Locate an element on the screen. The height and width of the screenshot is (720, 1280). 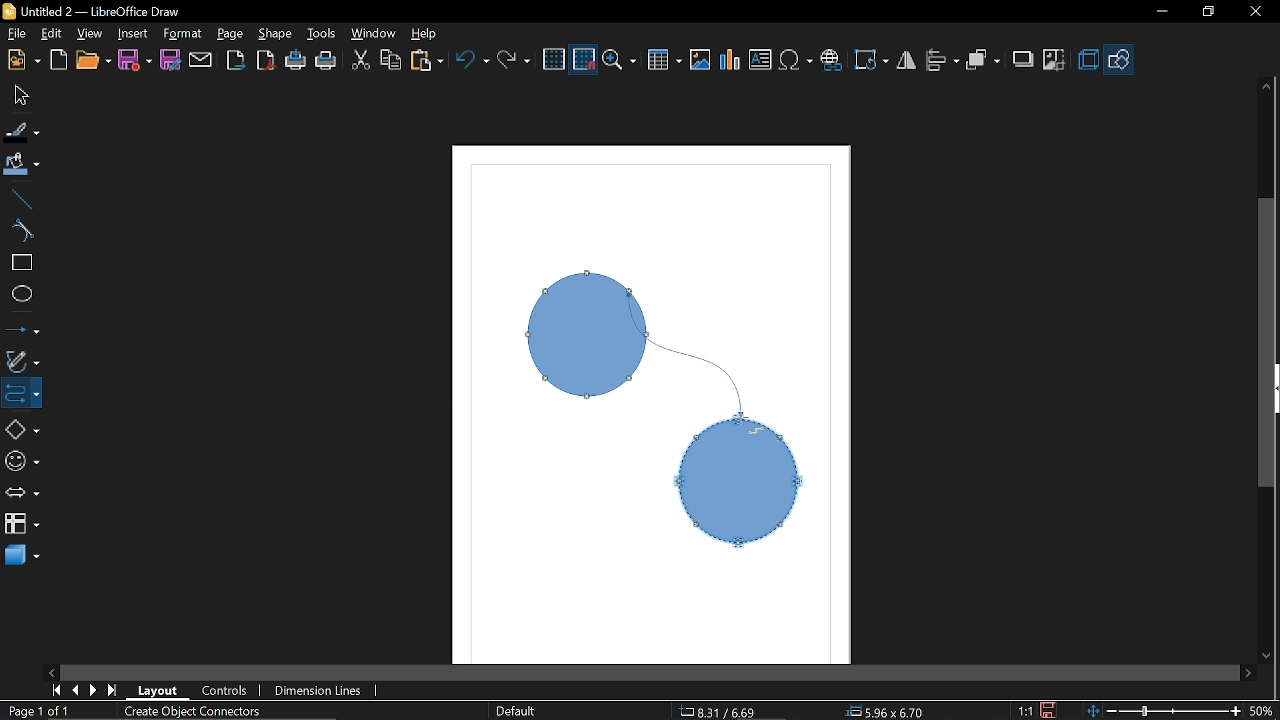
Grid is located at coordinates (554, 60).